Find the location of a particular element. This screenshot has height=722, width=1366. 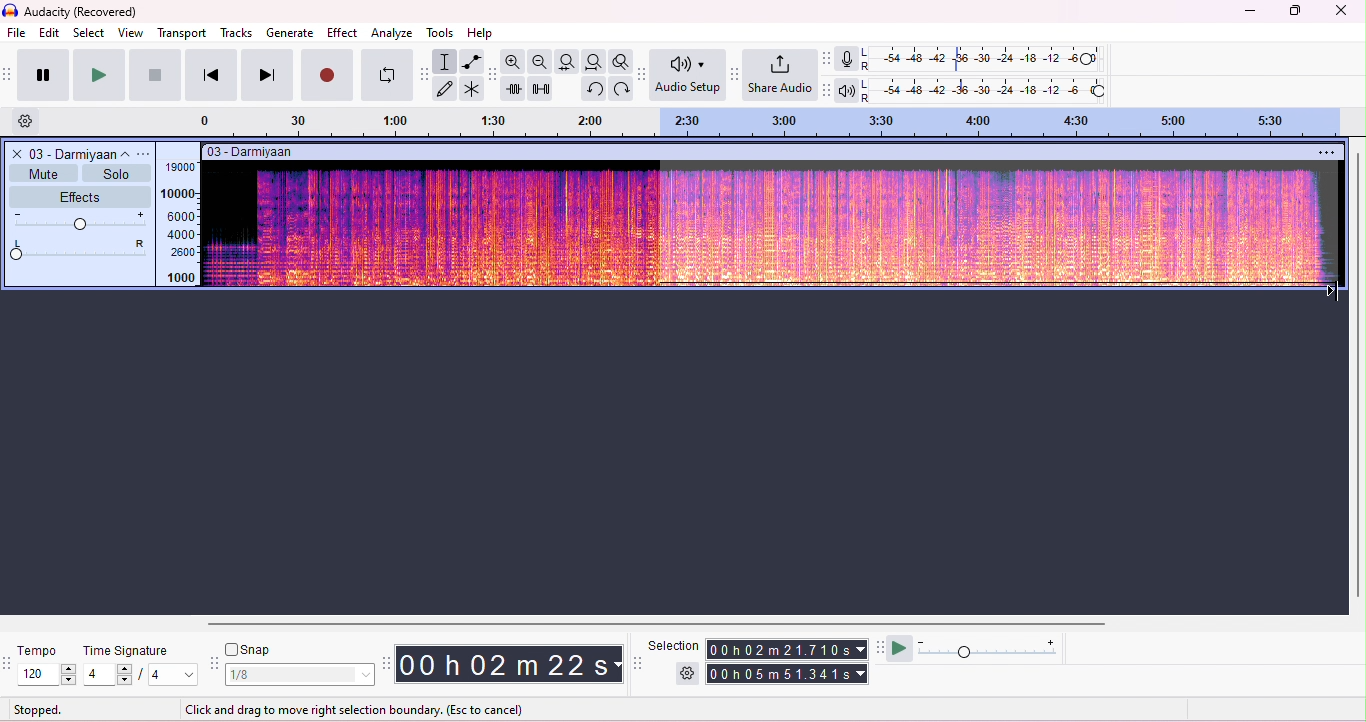

play at speed tool bar is located at coordinates (879, 647).